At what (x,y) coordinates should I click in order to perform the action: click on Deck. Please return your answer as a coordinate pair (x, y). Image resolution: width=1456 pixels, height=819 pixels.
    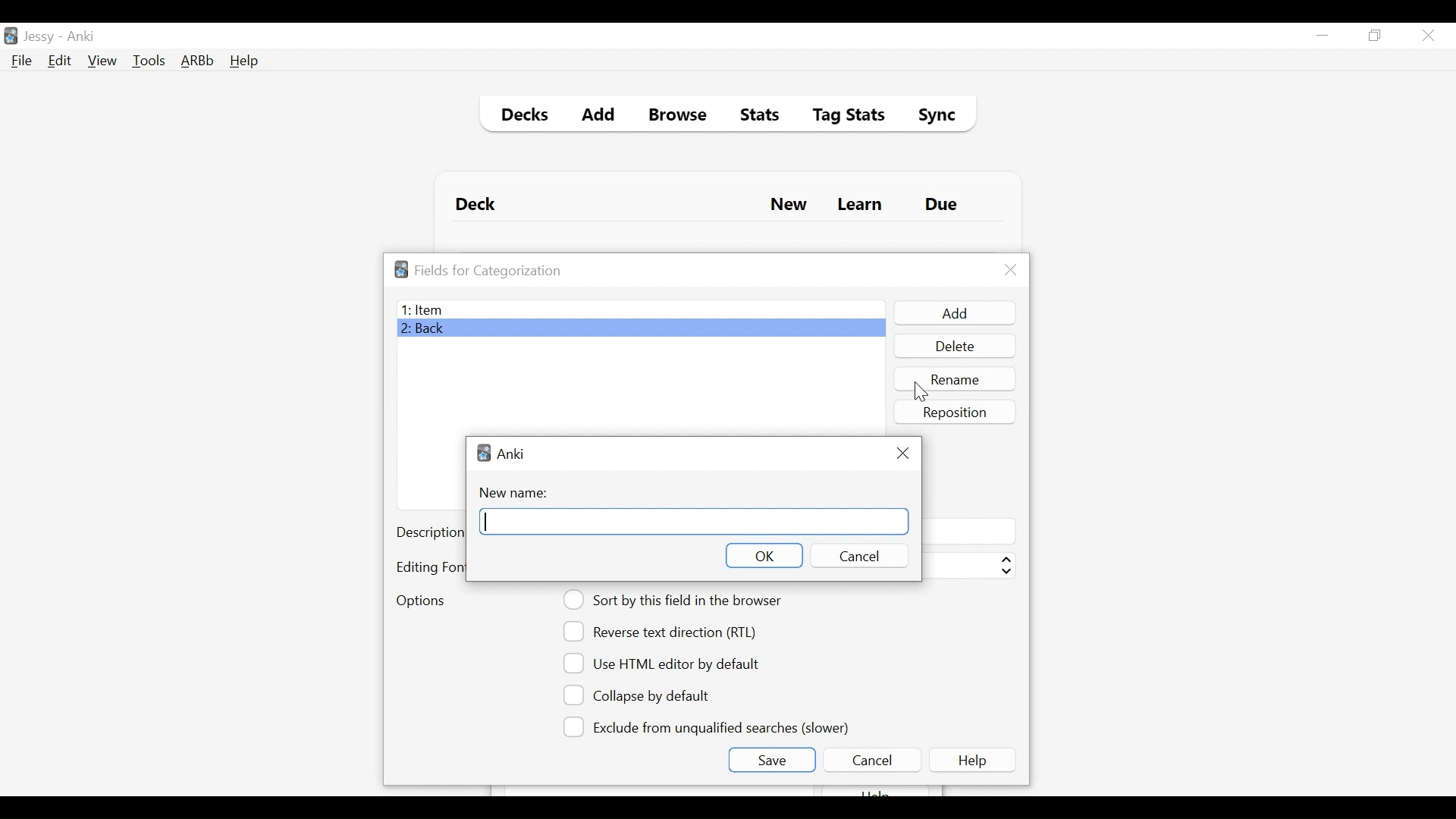
    Looking at the image, I should click on (479, 205).